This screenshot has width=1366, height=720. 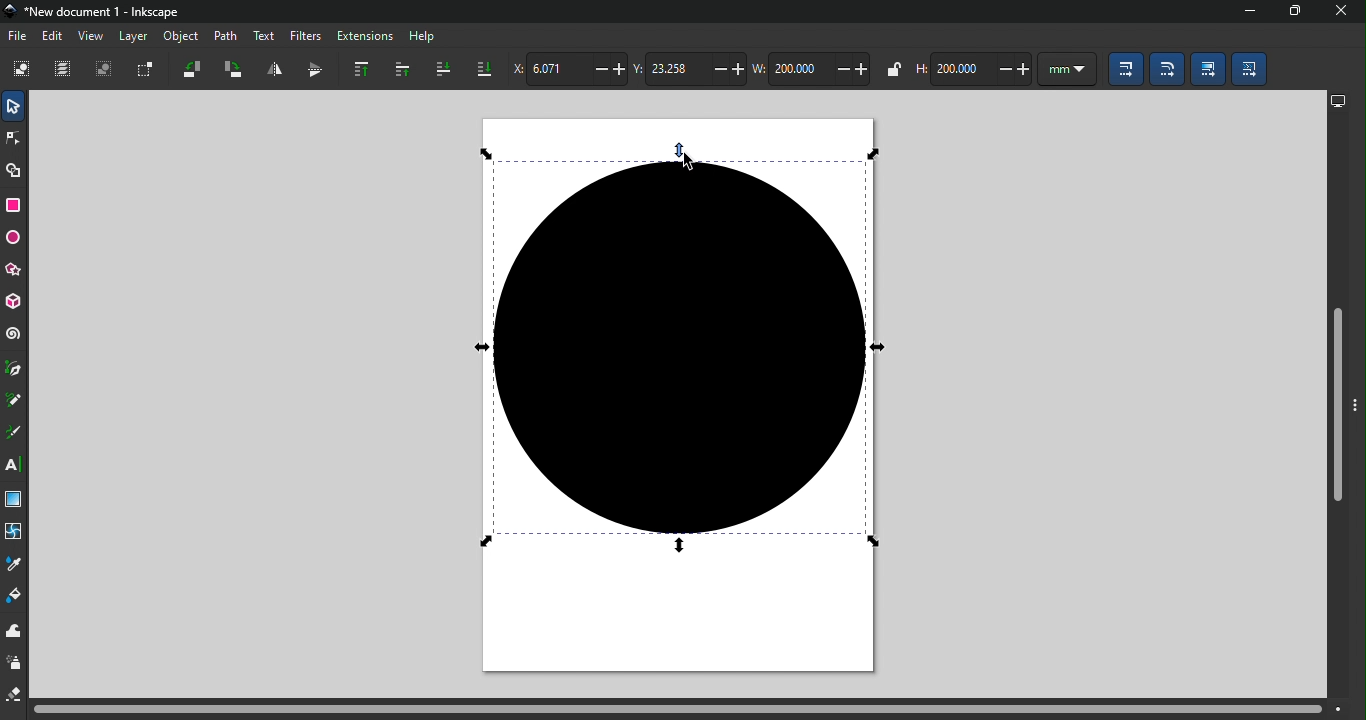 I want to click on unit, so click(x=1065, y=68).